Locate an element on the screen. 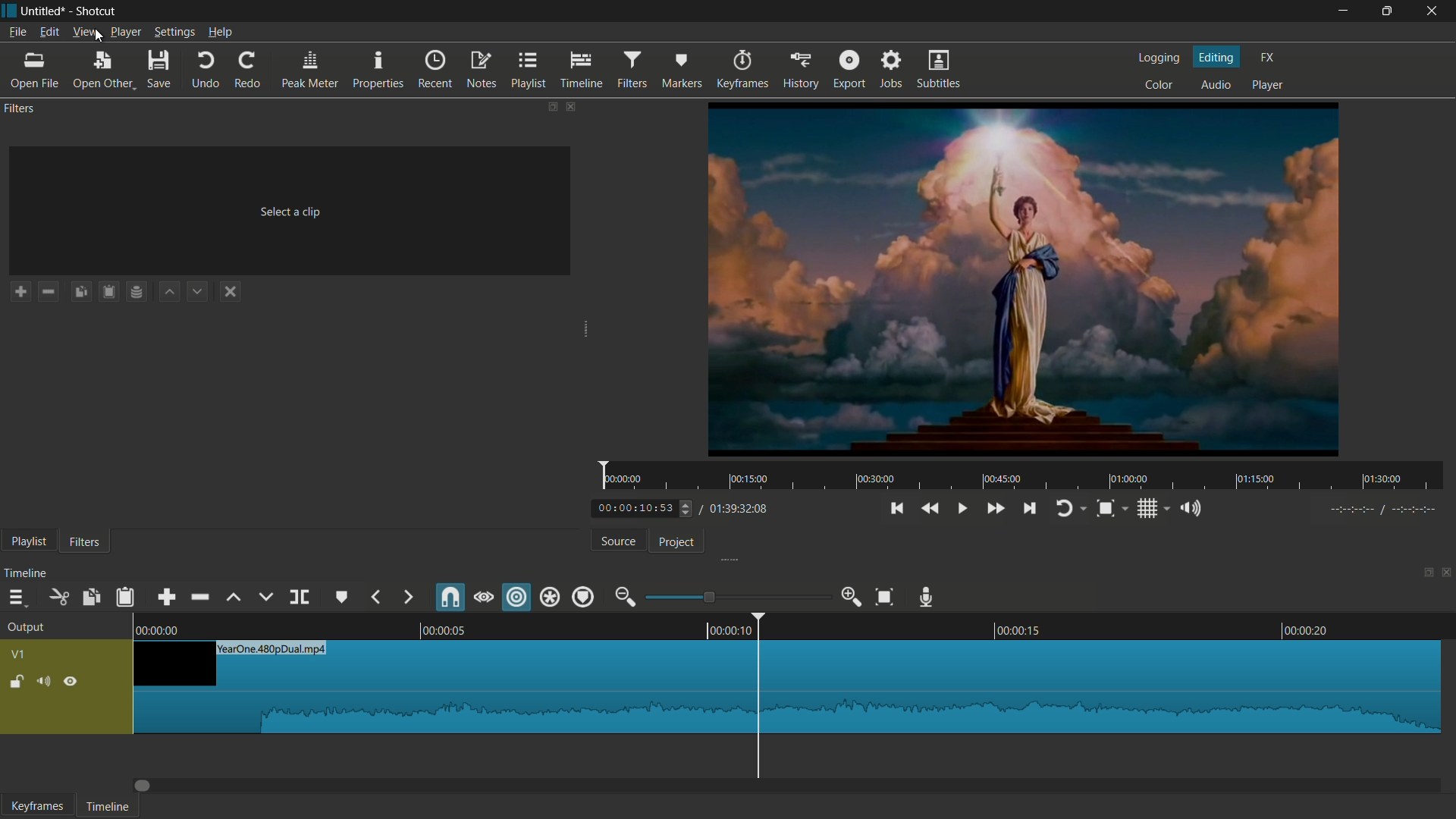  select a clip is located at coordinates (290, 212).